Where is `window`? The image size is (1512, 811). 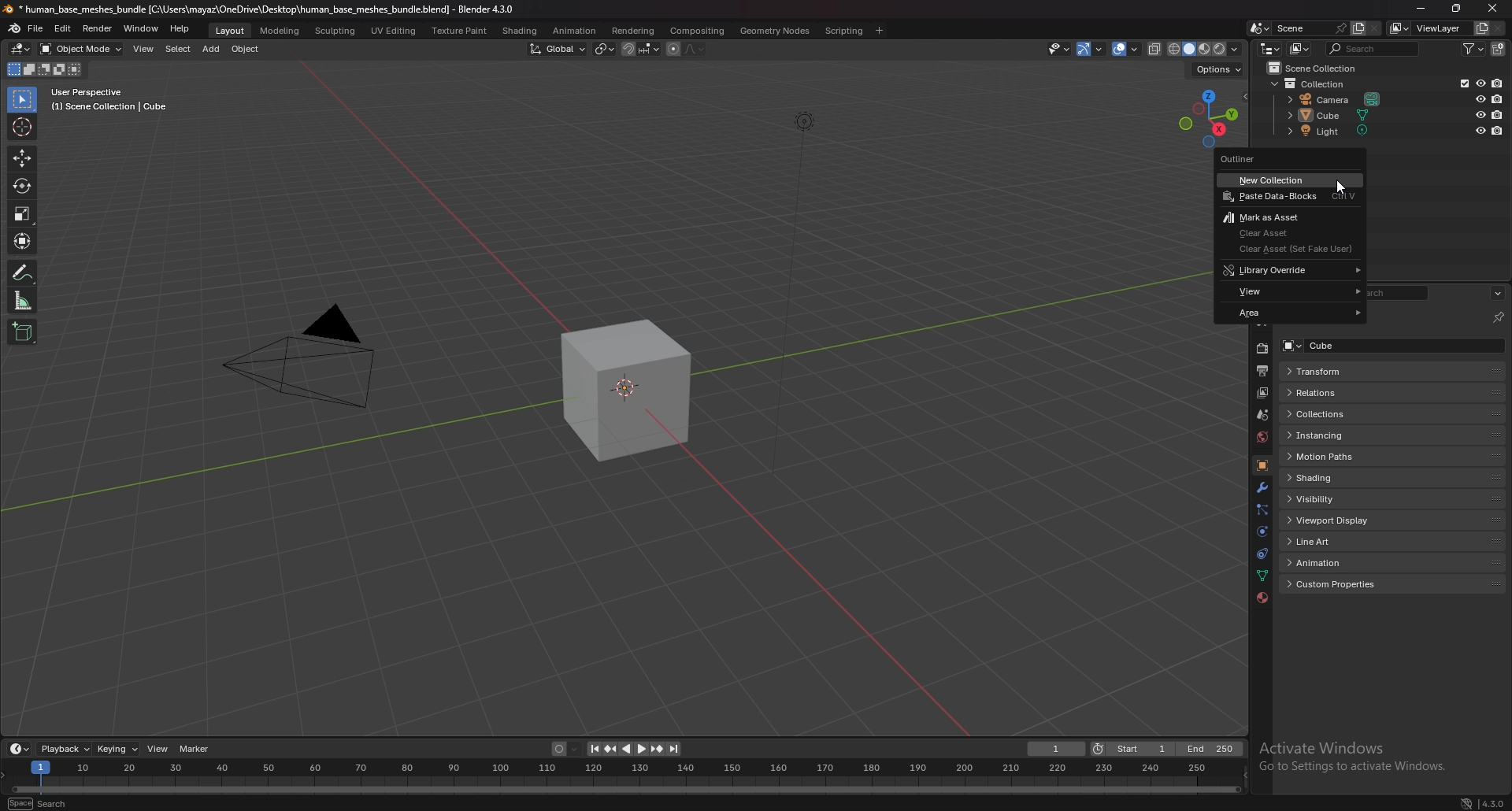 window is located at coordinates (142, 29).